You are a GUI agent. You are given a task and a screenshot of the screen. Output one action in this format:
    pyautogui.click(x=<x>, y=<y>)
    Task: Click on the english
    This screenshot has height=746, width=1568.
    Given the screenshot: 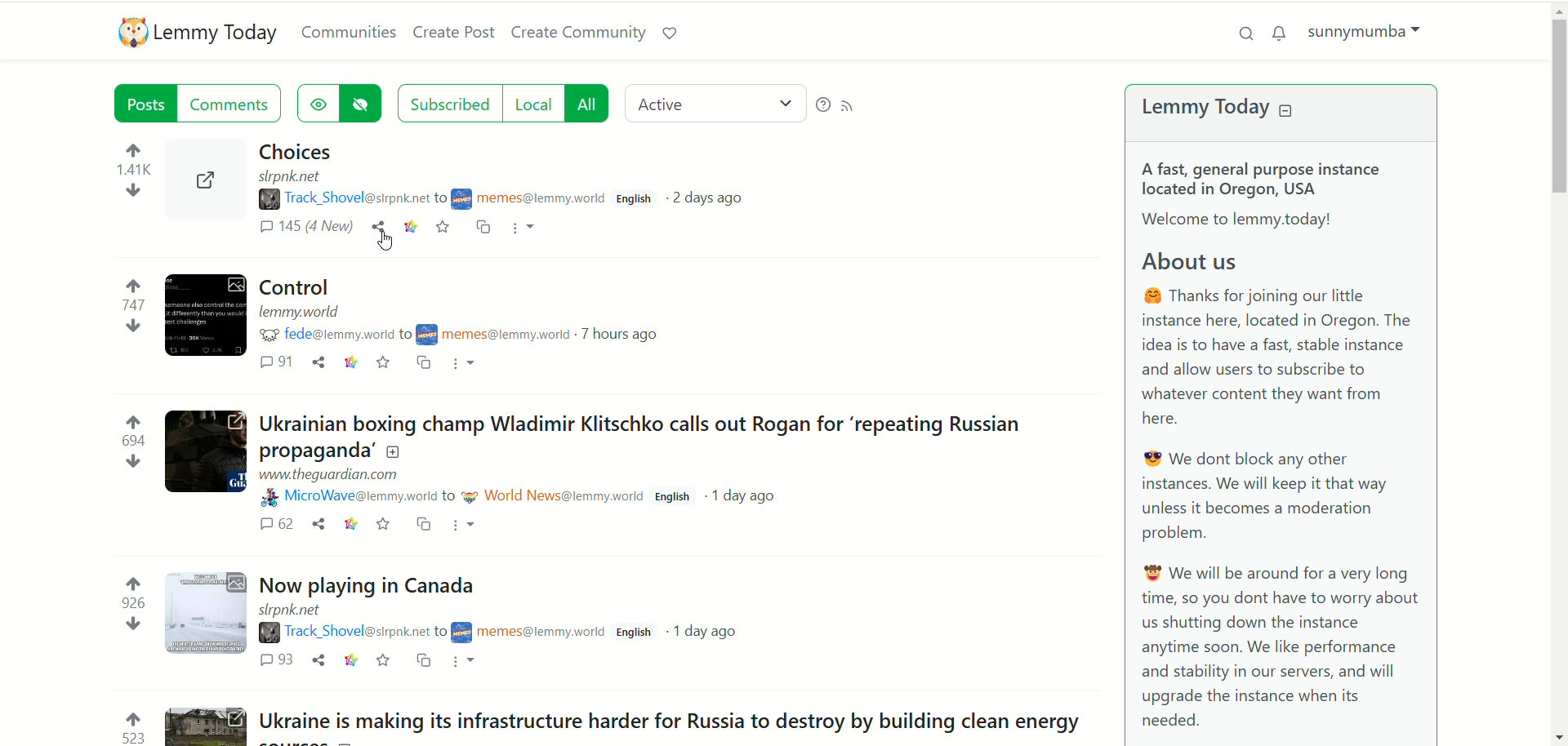 What is the action you would take?
    pyautogui.click(x=634, y=197)
    